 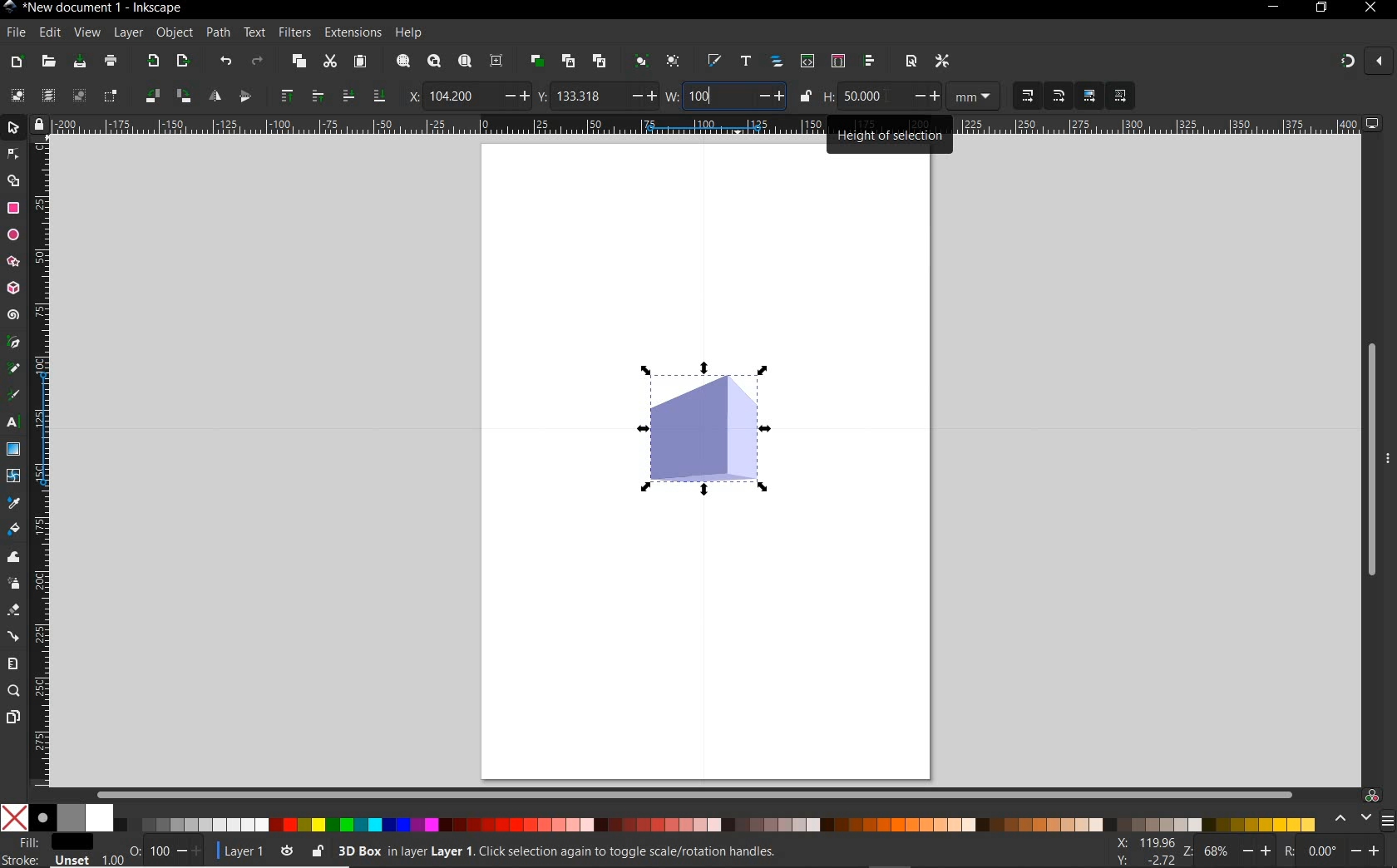 I want to click on lock, so click(x=38, y=124).